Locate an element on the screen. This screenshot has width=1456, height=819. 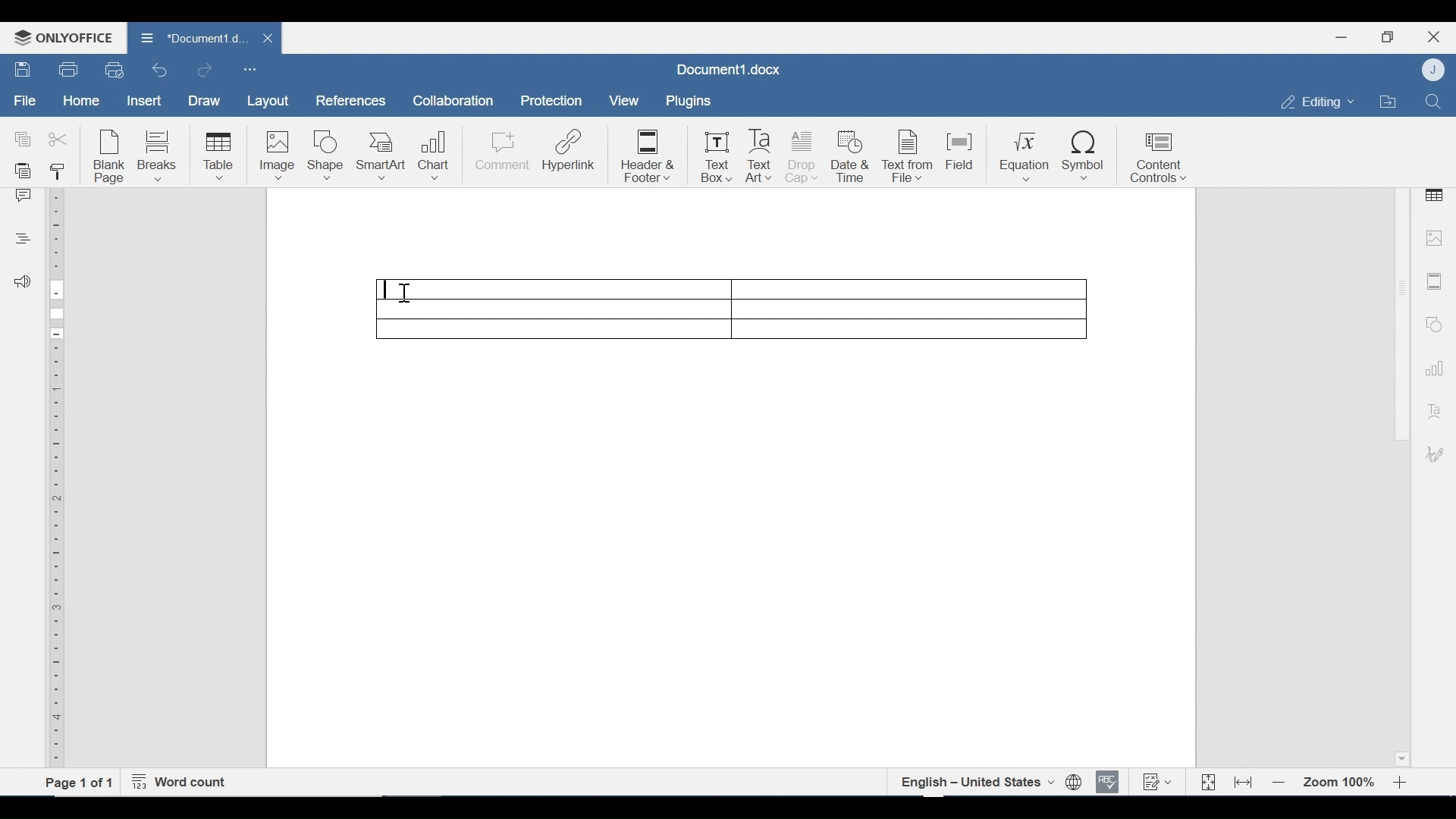
Table is located at coordinates (221, 155).